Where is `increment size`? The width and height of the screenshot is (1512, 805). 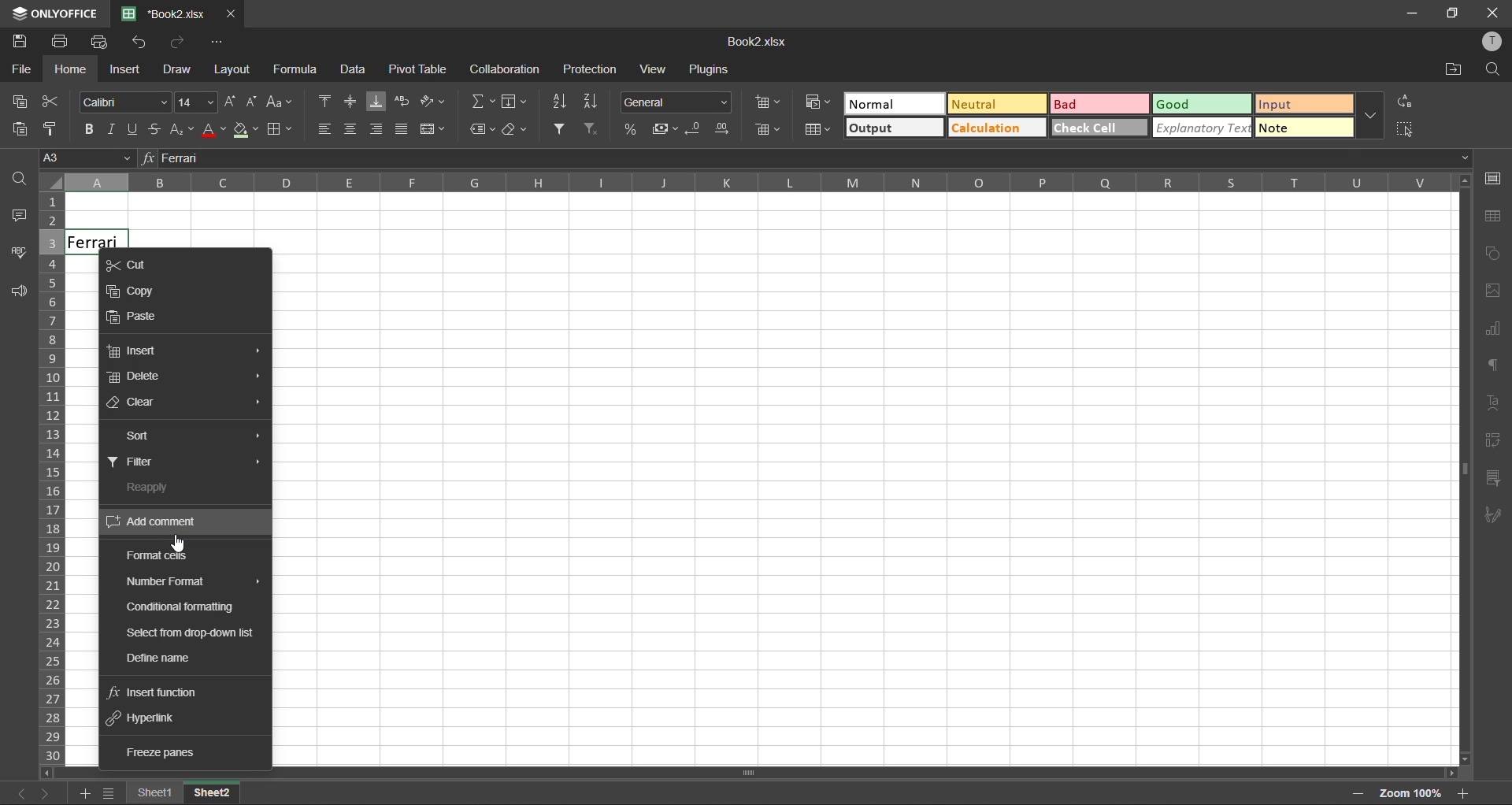
increment size is located at coordinates (232, 102).